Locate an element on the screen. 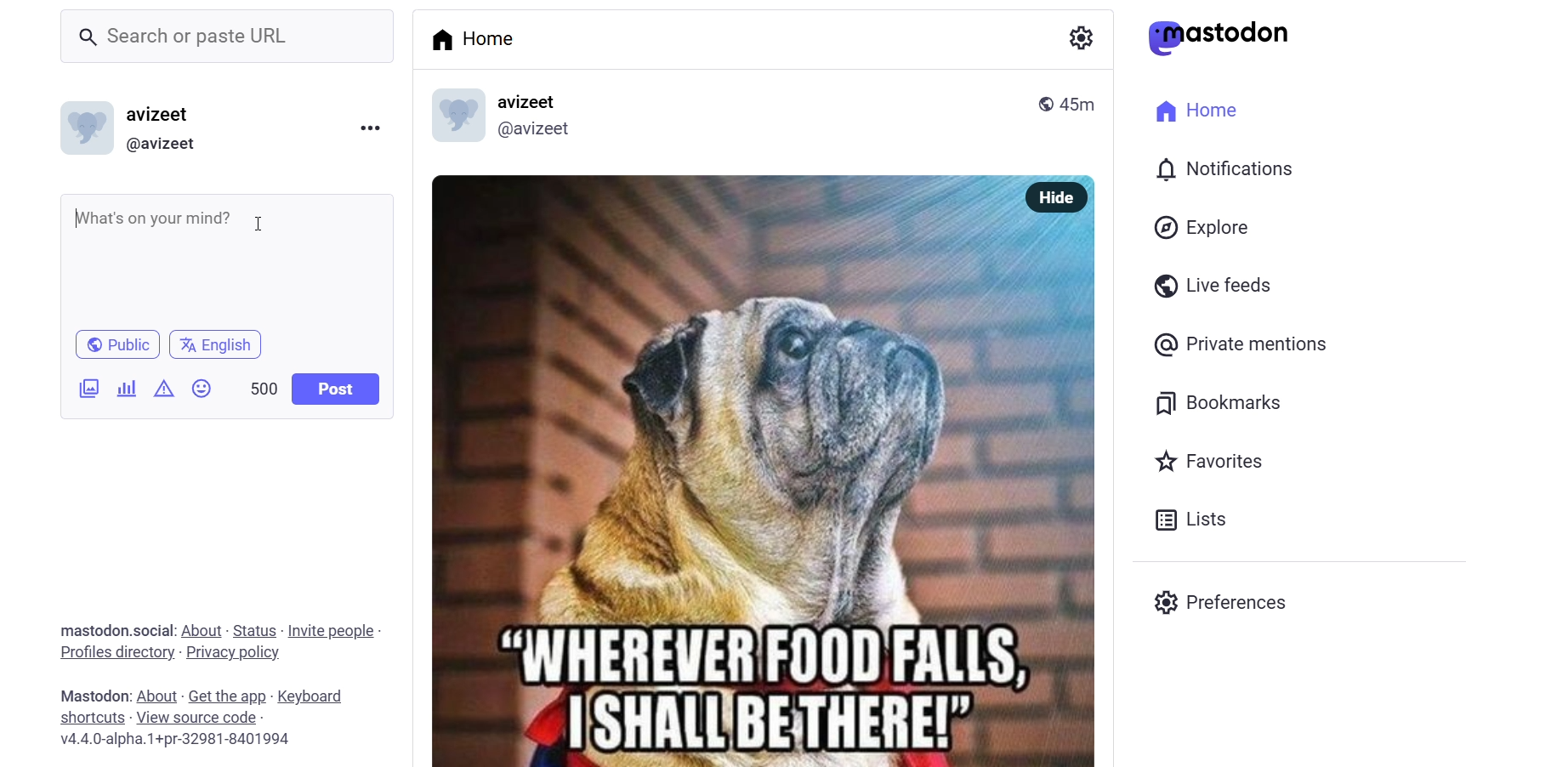 Image resolution: width=1568 pixels, height=767 pixels.  English is located at coordinates (219, 343).